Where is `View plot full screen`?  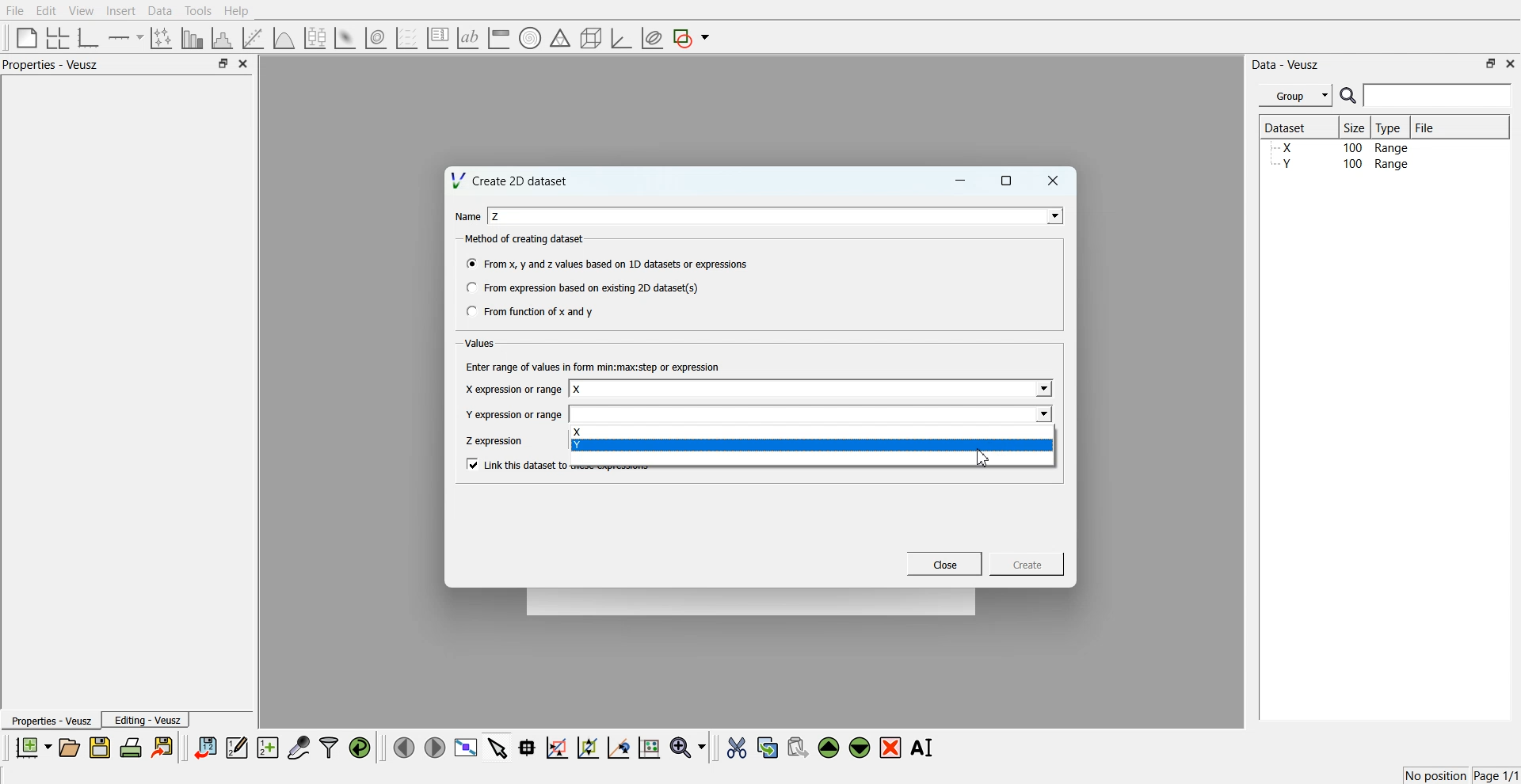 View plot full screen is located at coordinates (467, 747).